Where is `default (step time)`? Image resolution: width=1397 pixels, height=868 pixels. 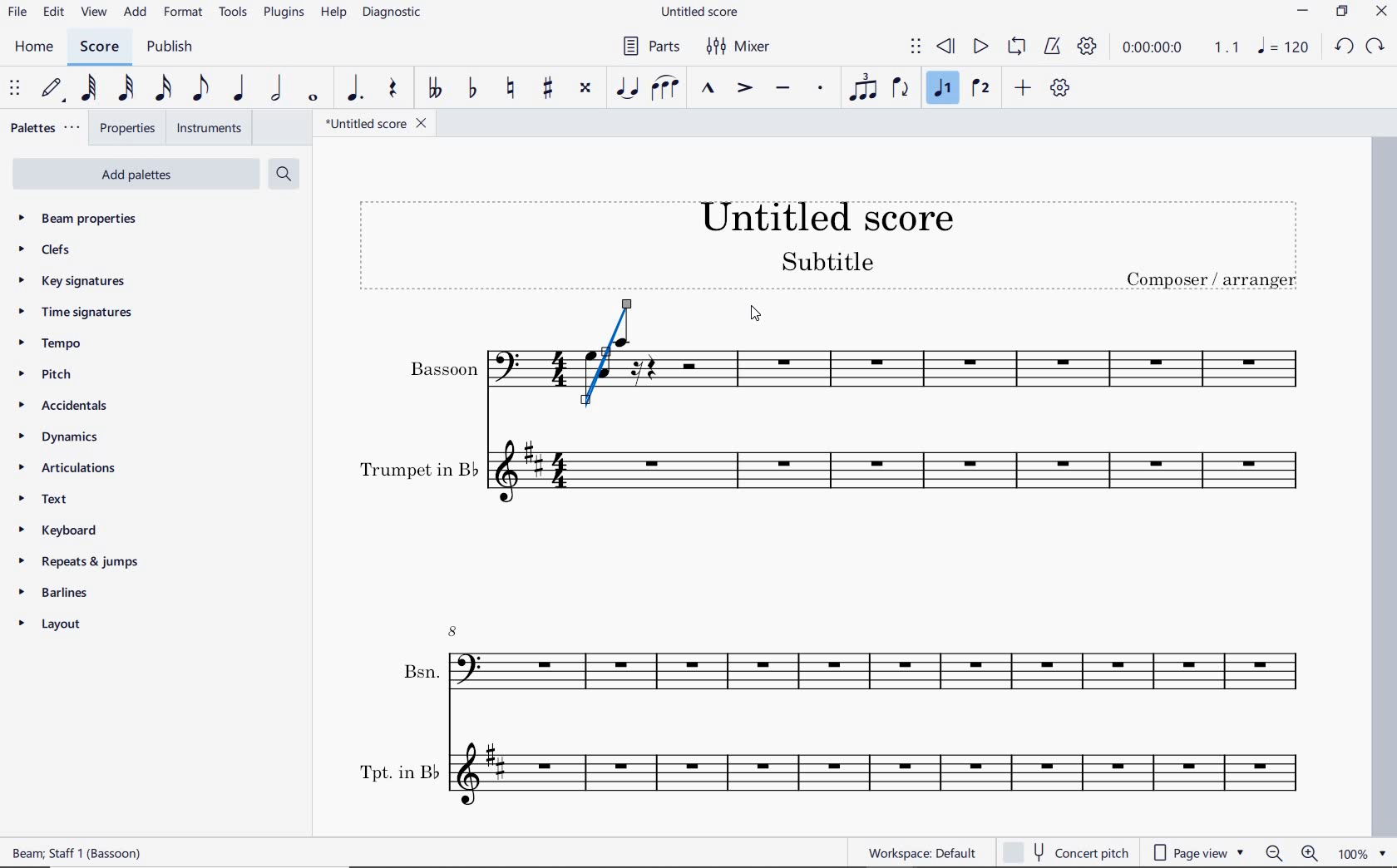
default (step time) is located at coordinates (54, 88).